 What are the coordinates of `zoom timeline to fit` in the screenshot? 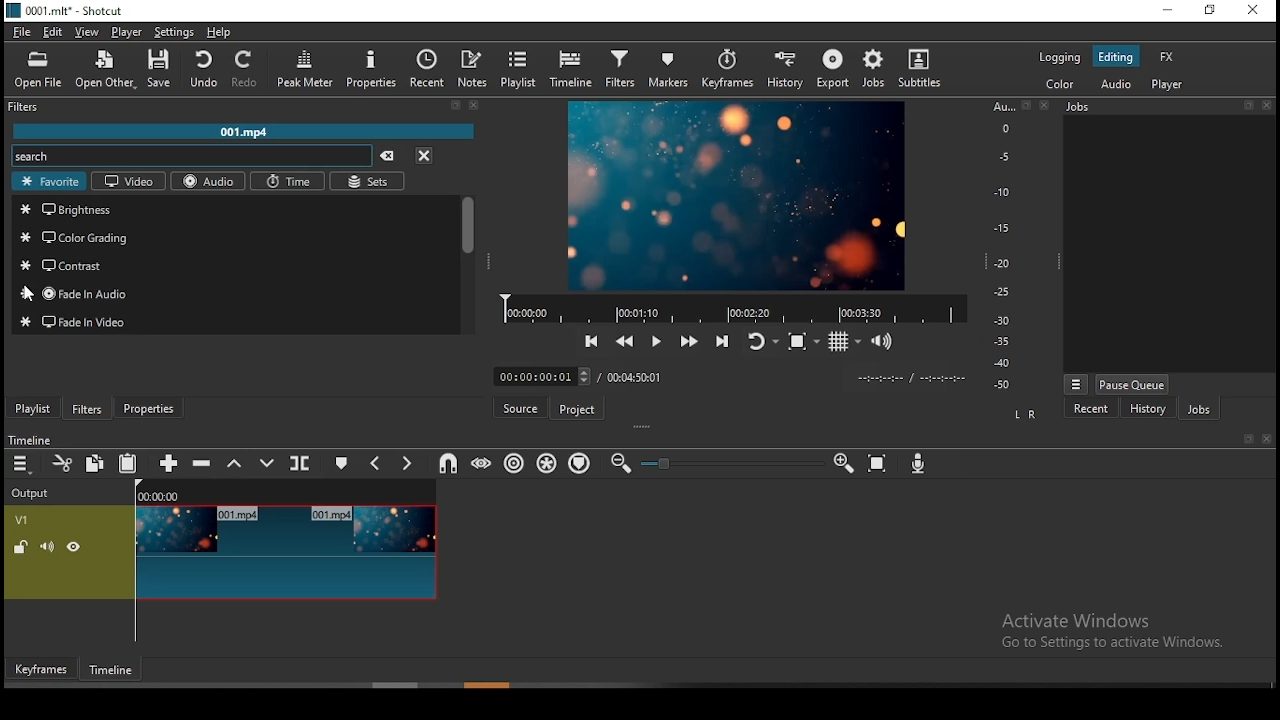 It's located at (878, 464).